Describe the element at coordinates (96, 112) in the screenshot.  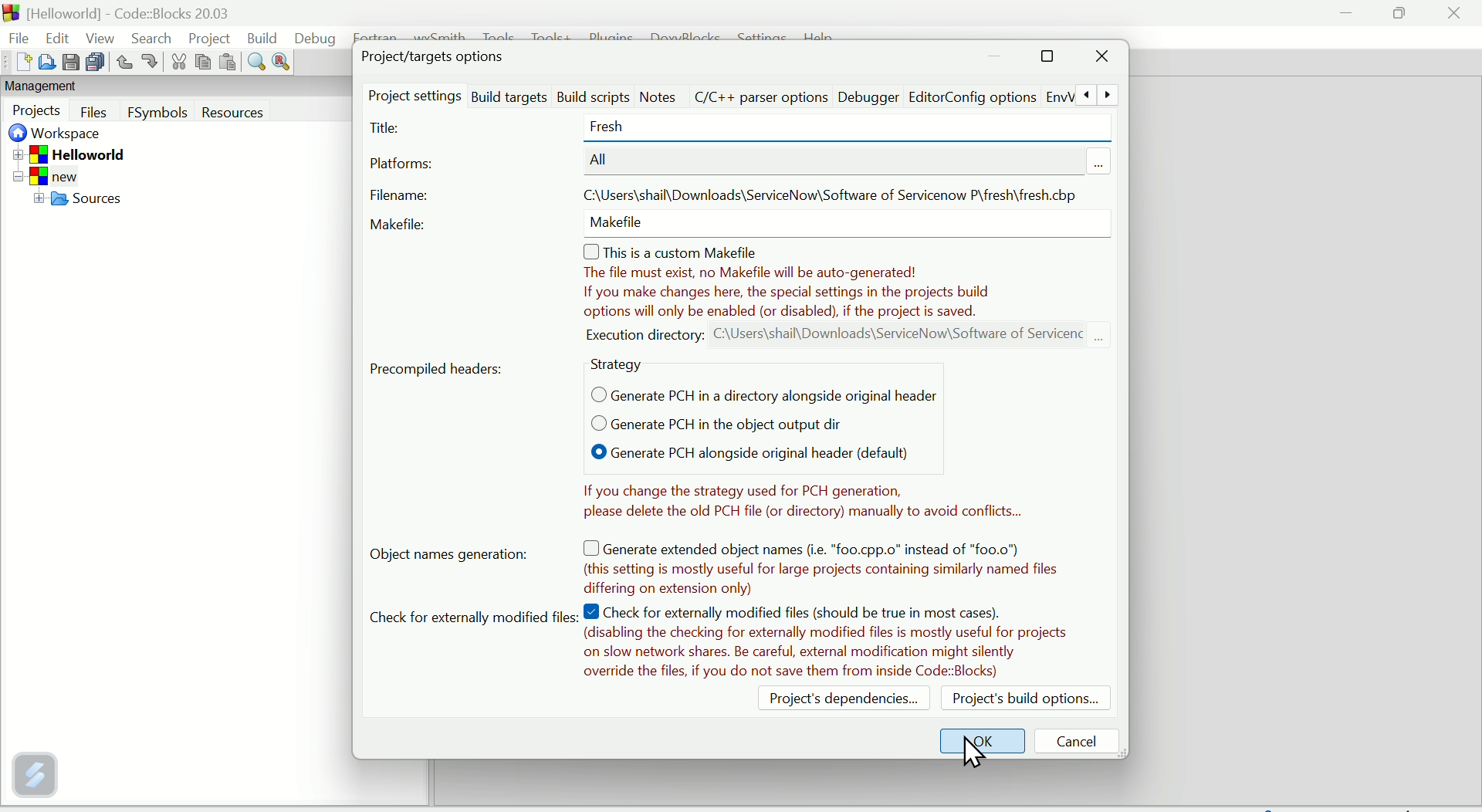
I see `` at that location.